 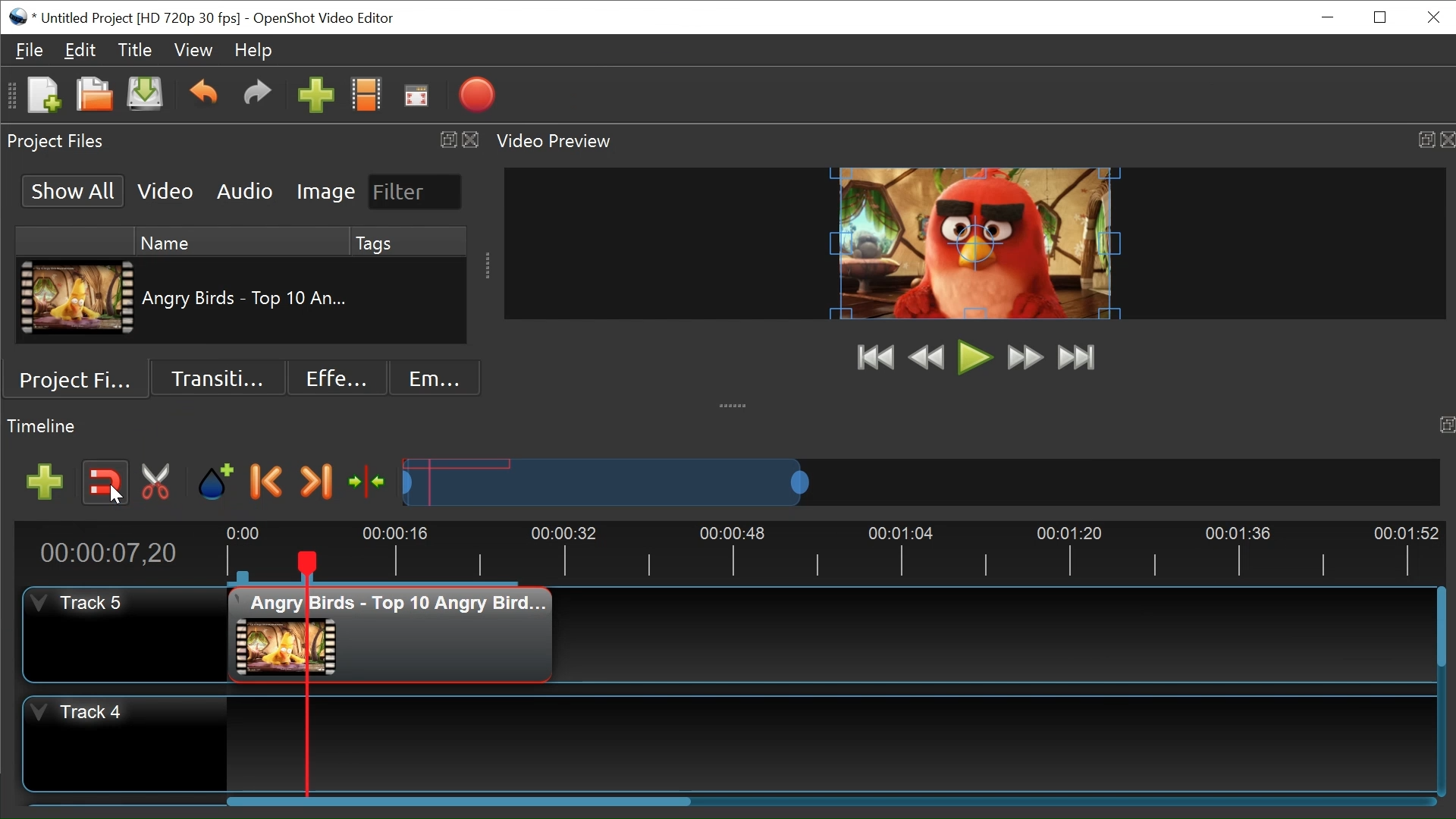 What do you see at coordinates (243, 193) in the screenshot?
I see `Audio` at bounding box center [243, 193].